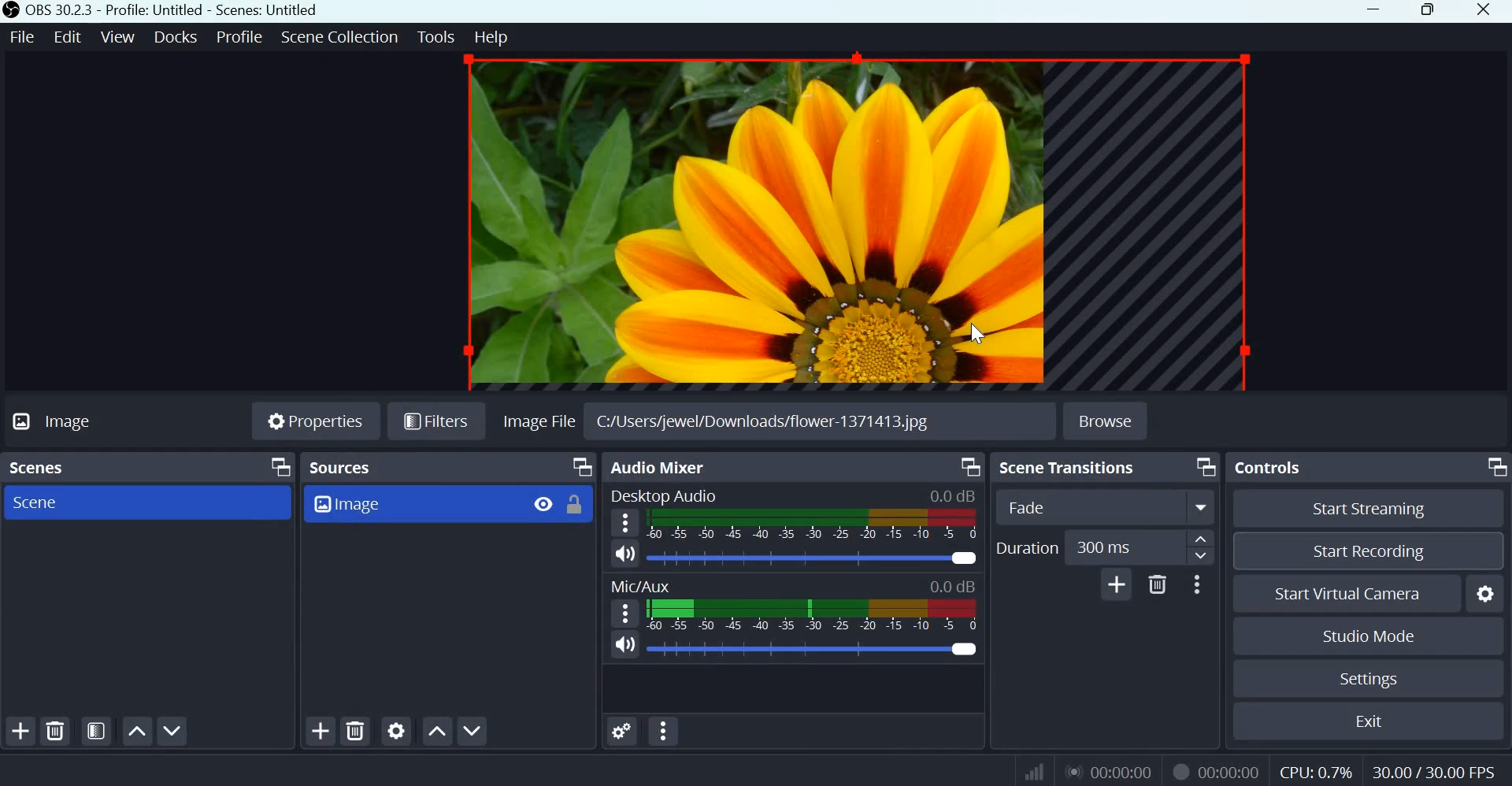  Describe the element at coordinates (1158, 584) in the screenshot. I see `Delete Transition` at that location.